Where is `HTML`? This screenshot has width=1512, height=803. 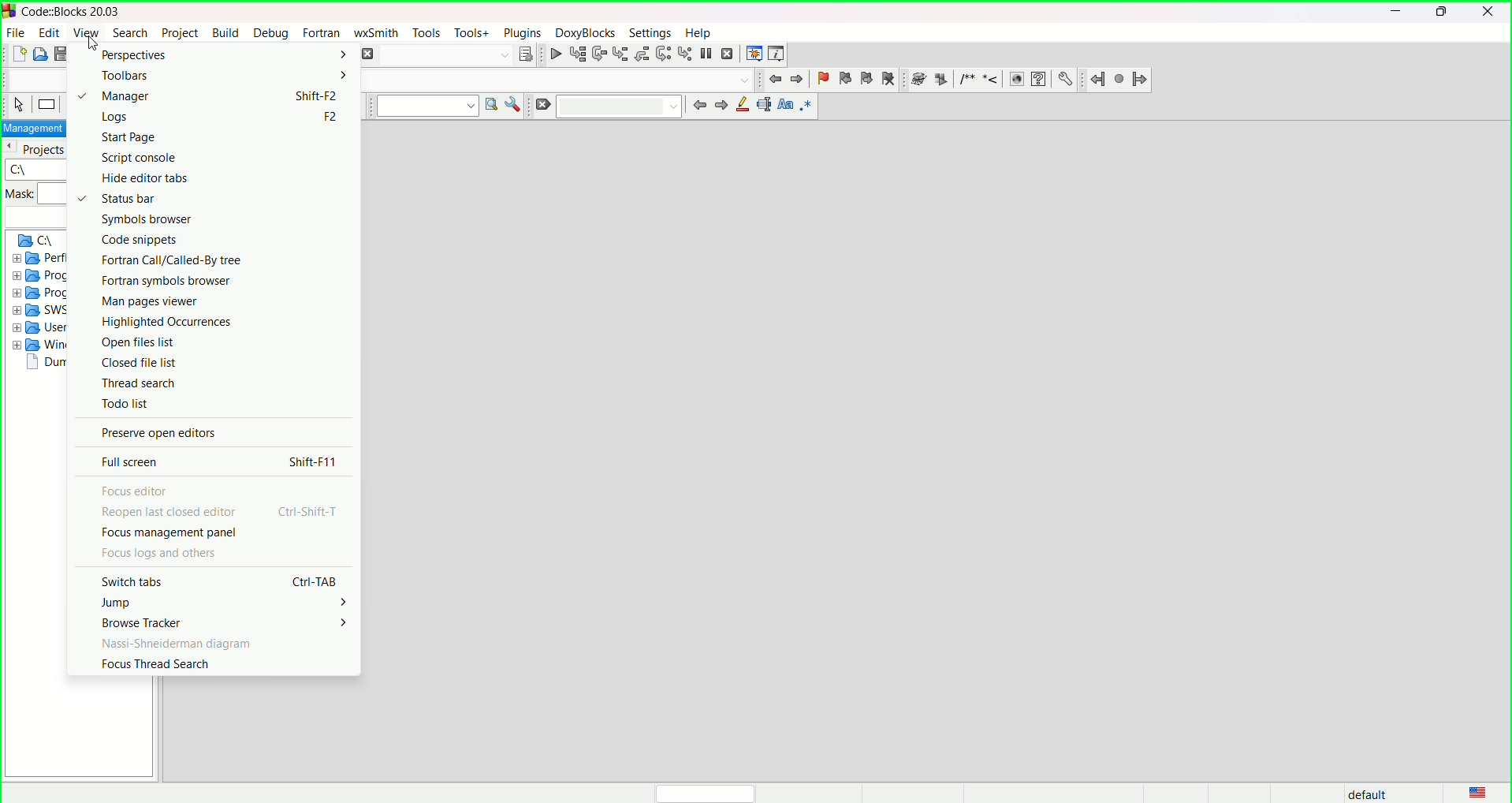
HTML is located at coordinates (1014, 80).